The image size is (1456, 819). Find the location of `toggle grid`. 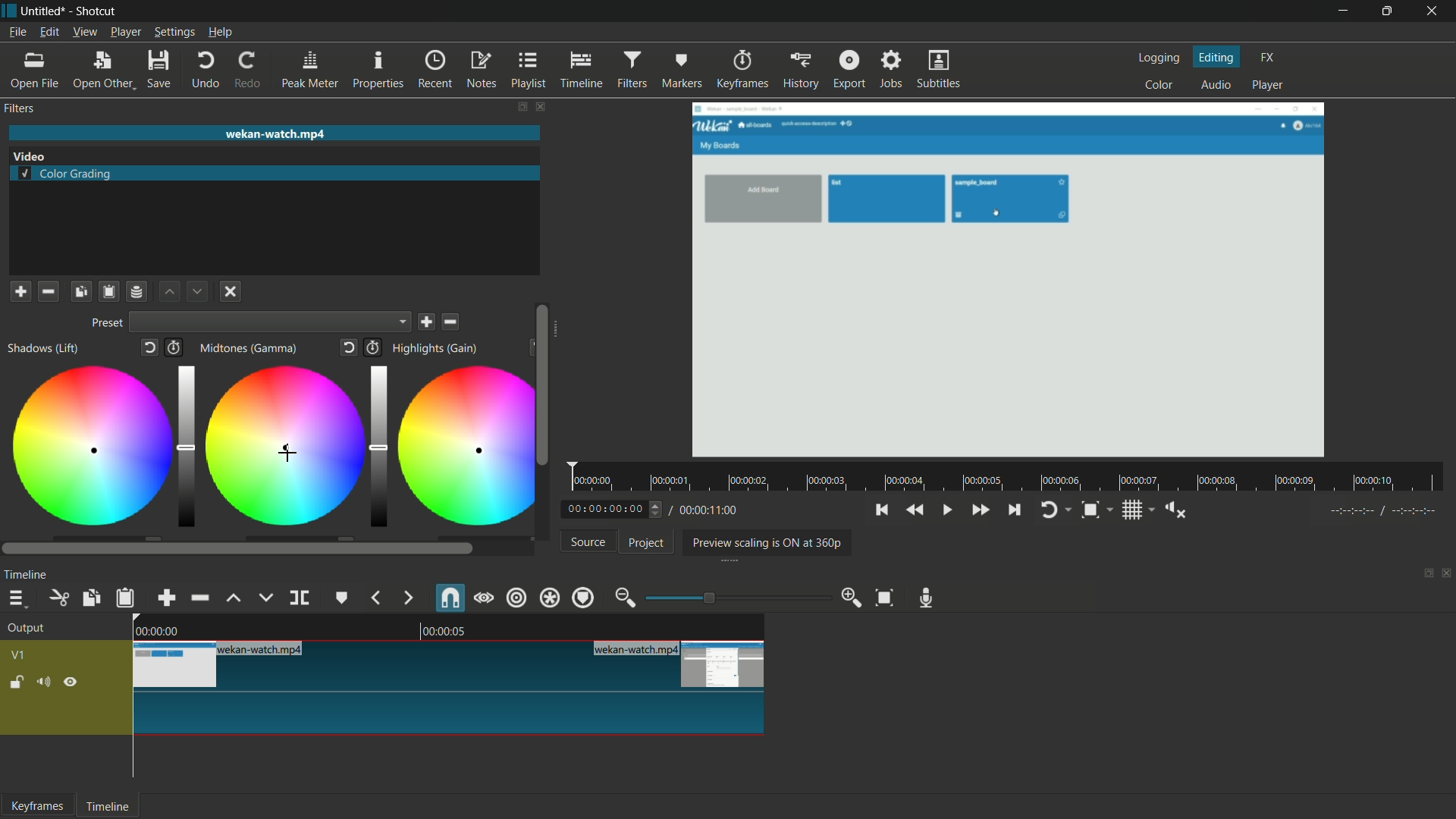

toggle grid is located at coordinates (1139, 510).